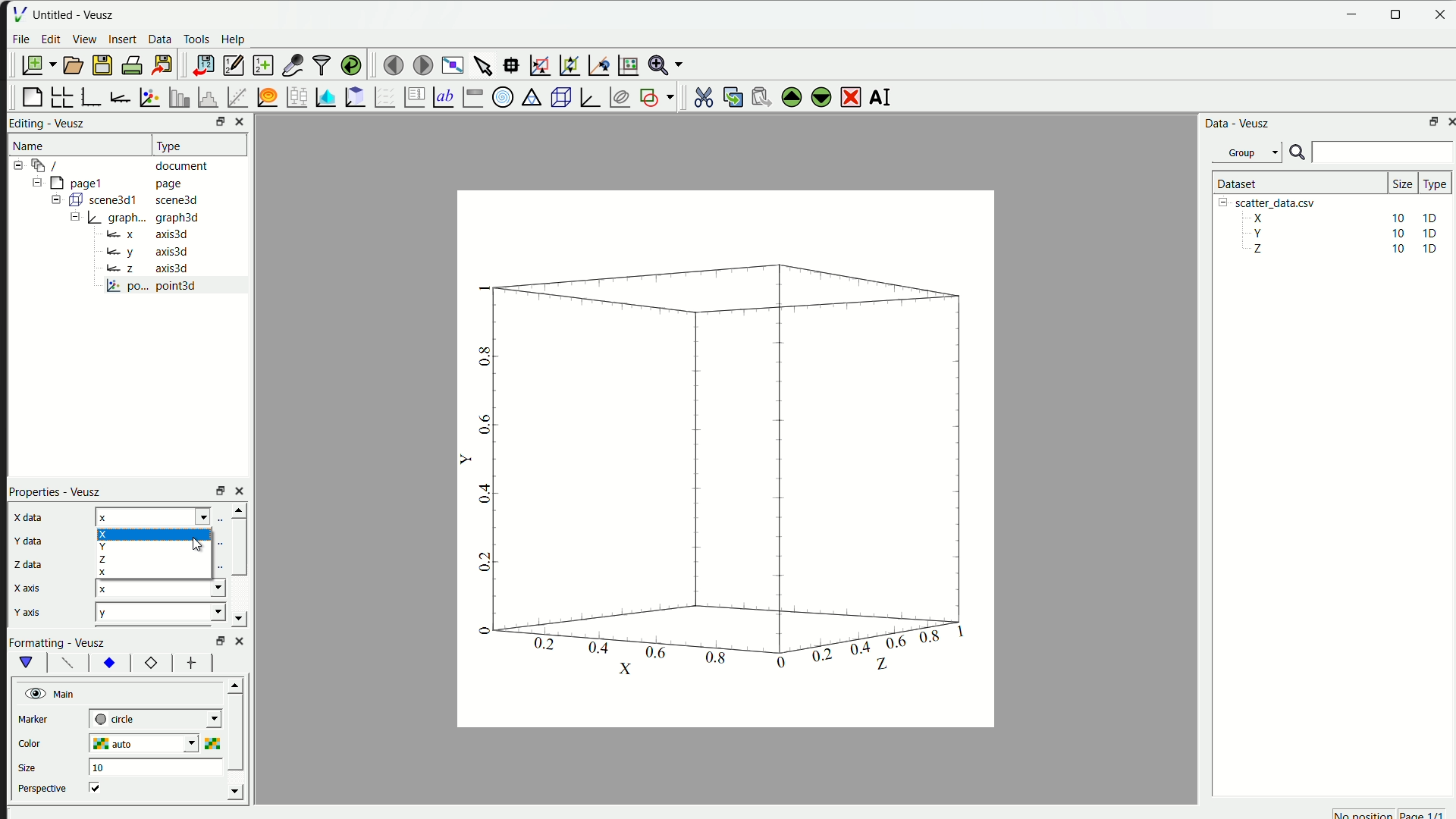 The width and height of the screenshot is (1456, 819). What do you see at coordinates (236, 96) in the screenshot?
I see `fit function to data` at bounding box center [236, 96].